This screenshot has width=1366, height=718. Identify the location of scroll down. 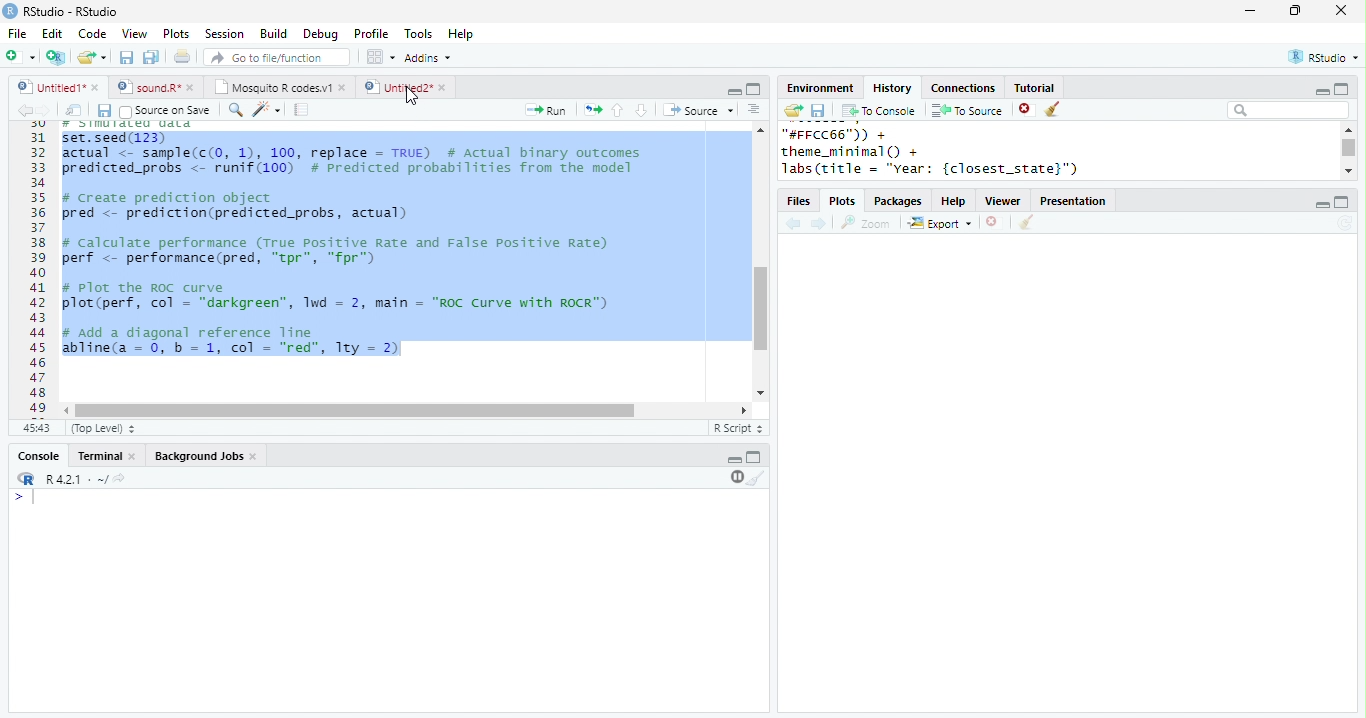
(1348, 170).